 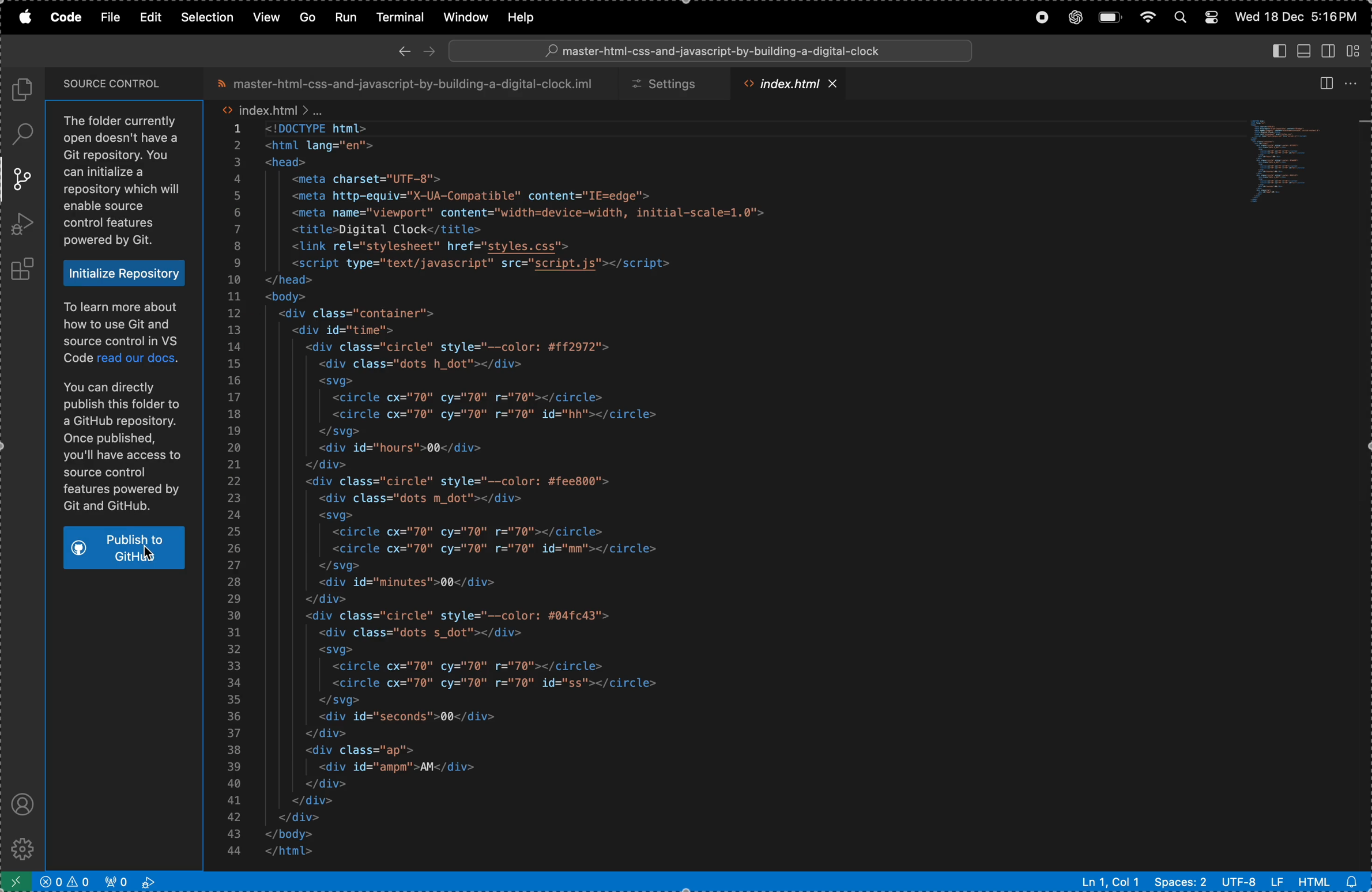 I want to click on settings, so click(x=26, y=846).